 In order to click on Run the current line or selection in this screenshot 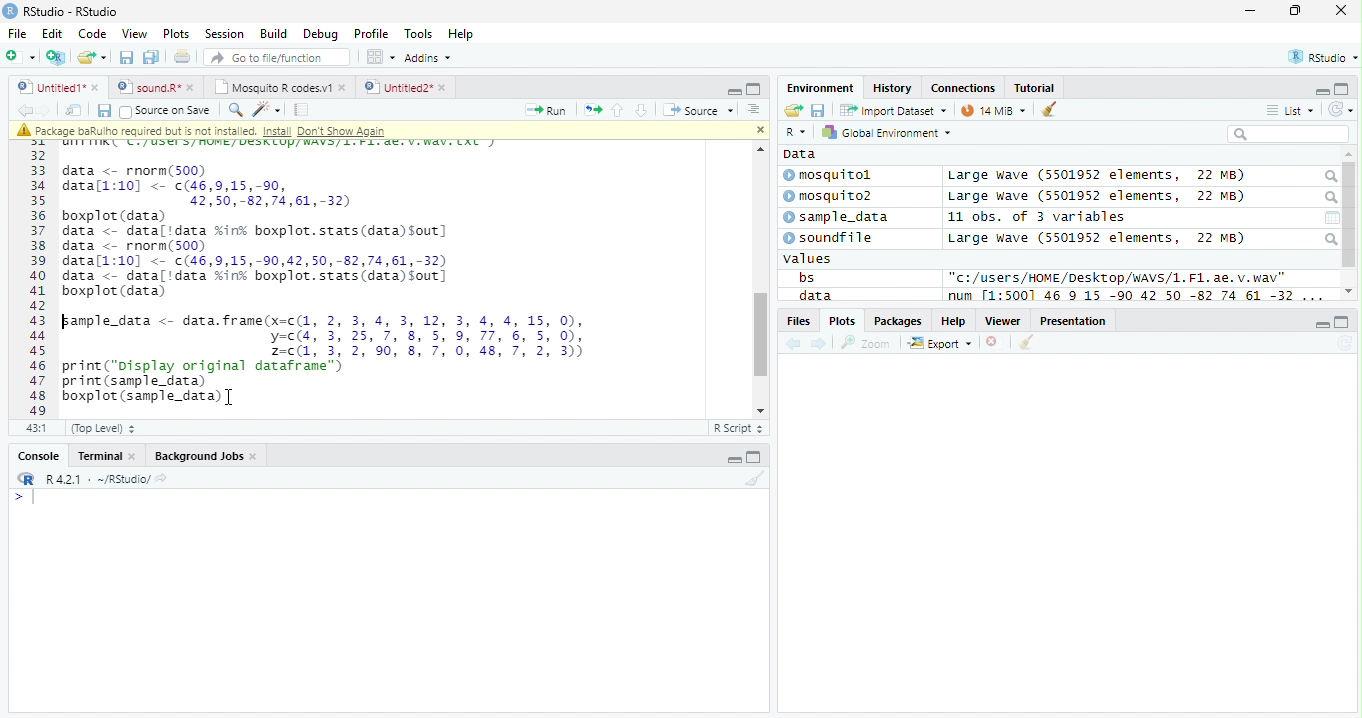, I will do `click(546, 111)`.